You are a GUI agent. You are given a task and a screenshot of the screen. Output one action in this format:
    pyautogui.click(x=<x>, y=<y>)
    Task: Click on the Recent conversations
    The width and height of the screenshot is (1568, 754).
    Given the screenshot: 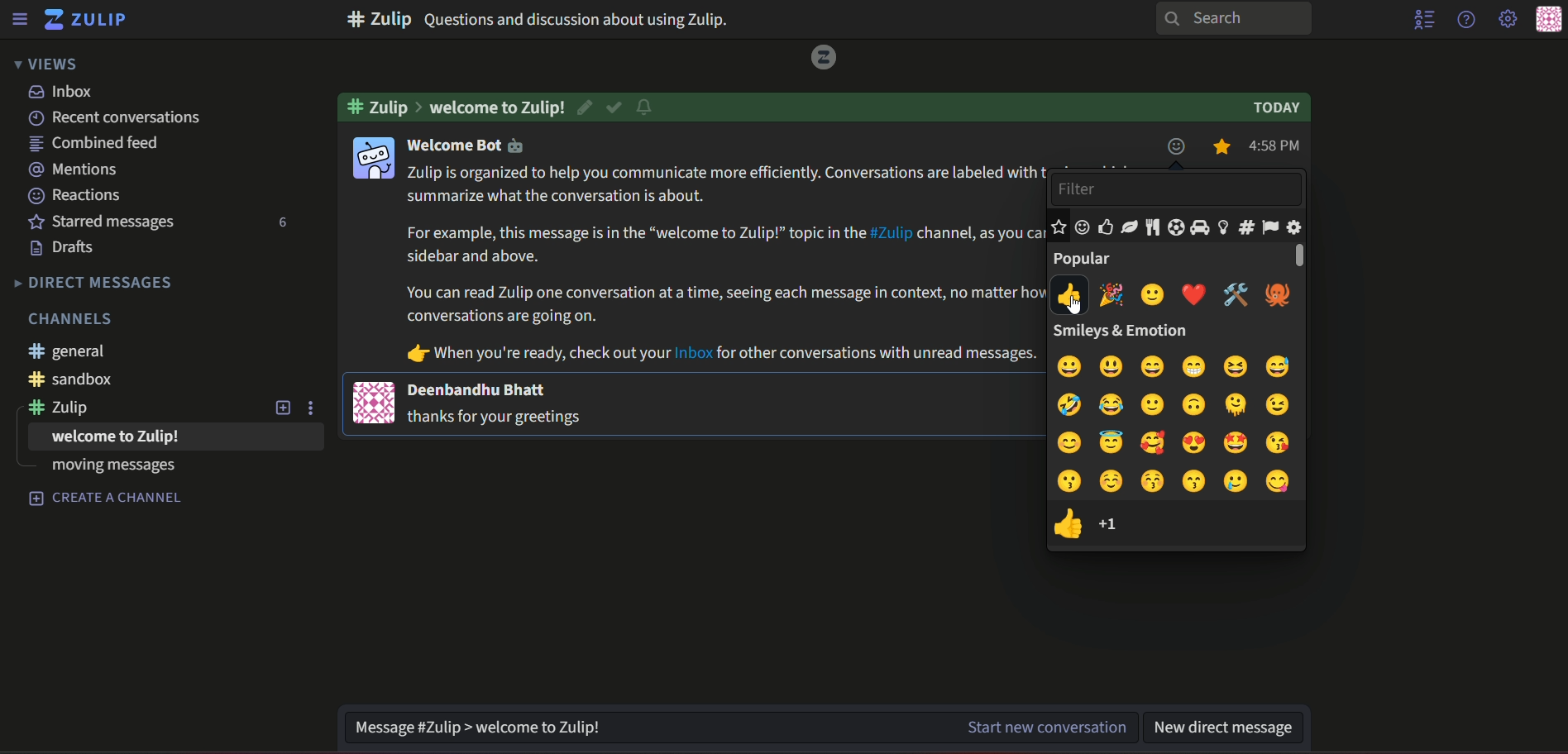 What is the action you would take?
    pyautogui.click(x=122, y=118)
    